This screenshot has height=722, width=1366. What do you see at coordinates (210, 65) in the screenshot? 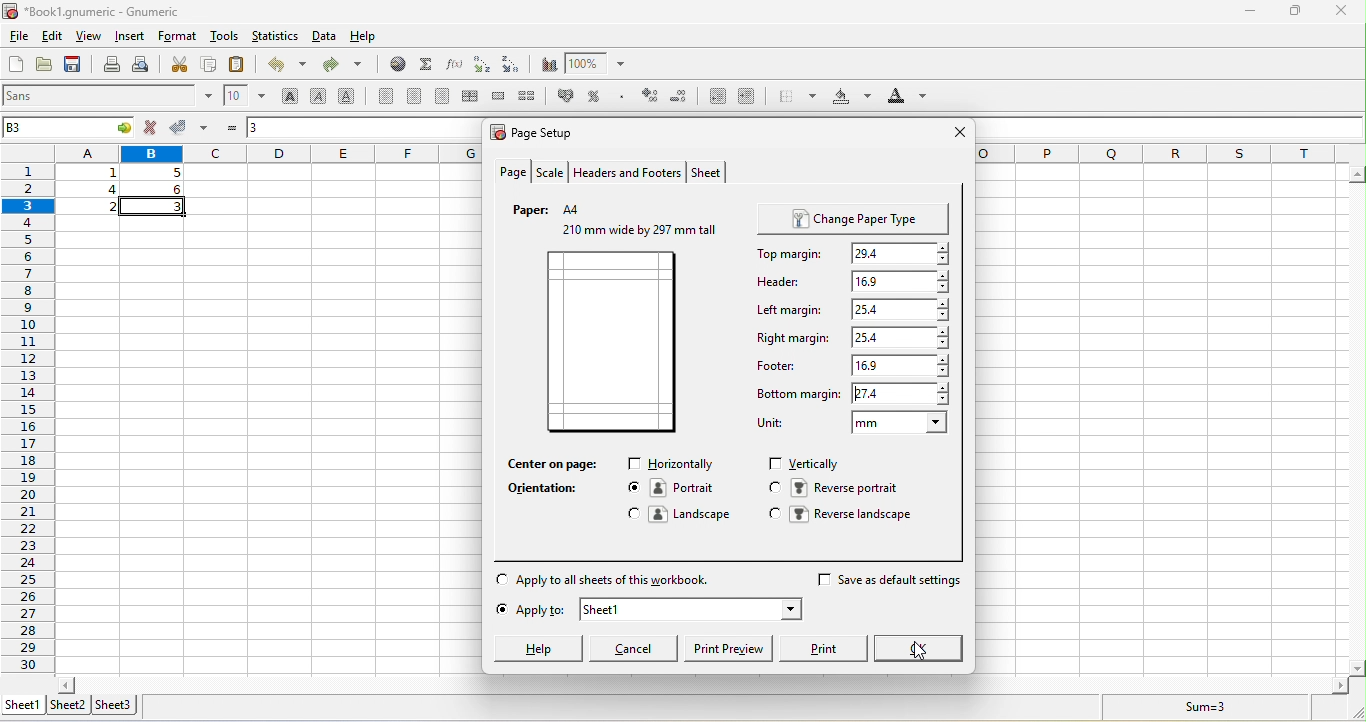
I see `copy` at bounding box center [210, 65].